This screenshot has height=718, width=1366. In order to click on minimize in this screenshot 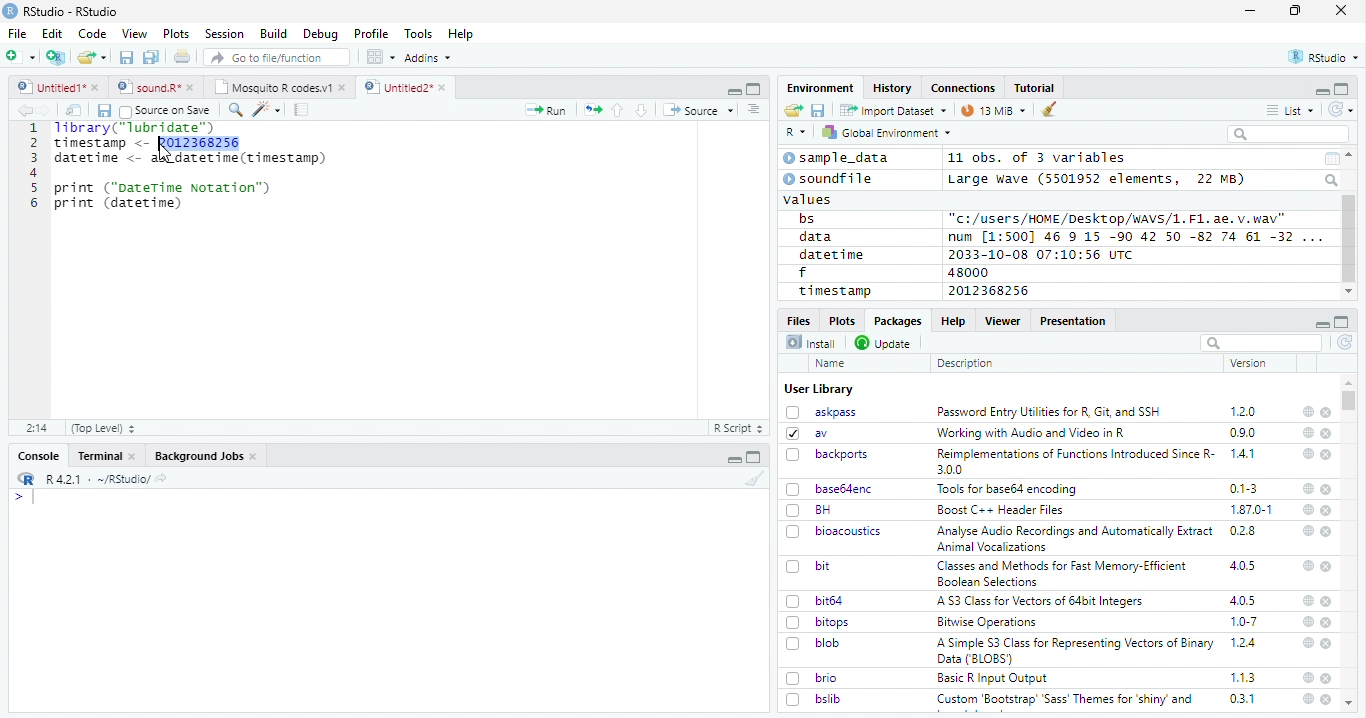, I will do `click(736, 457)`.